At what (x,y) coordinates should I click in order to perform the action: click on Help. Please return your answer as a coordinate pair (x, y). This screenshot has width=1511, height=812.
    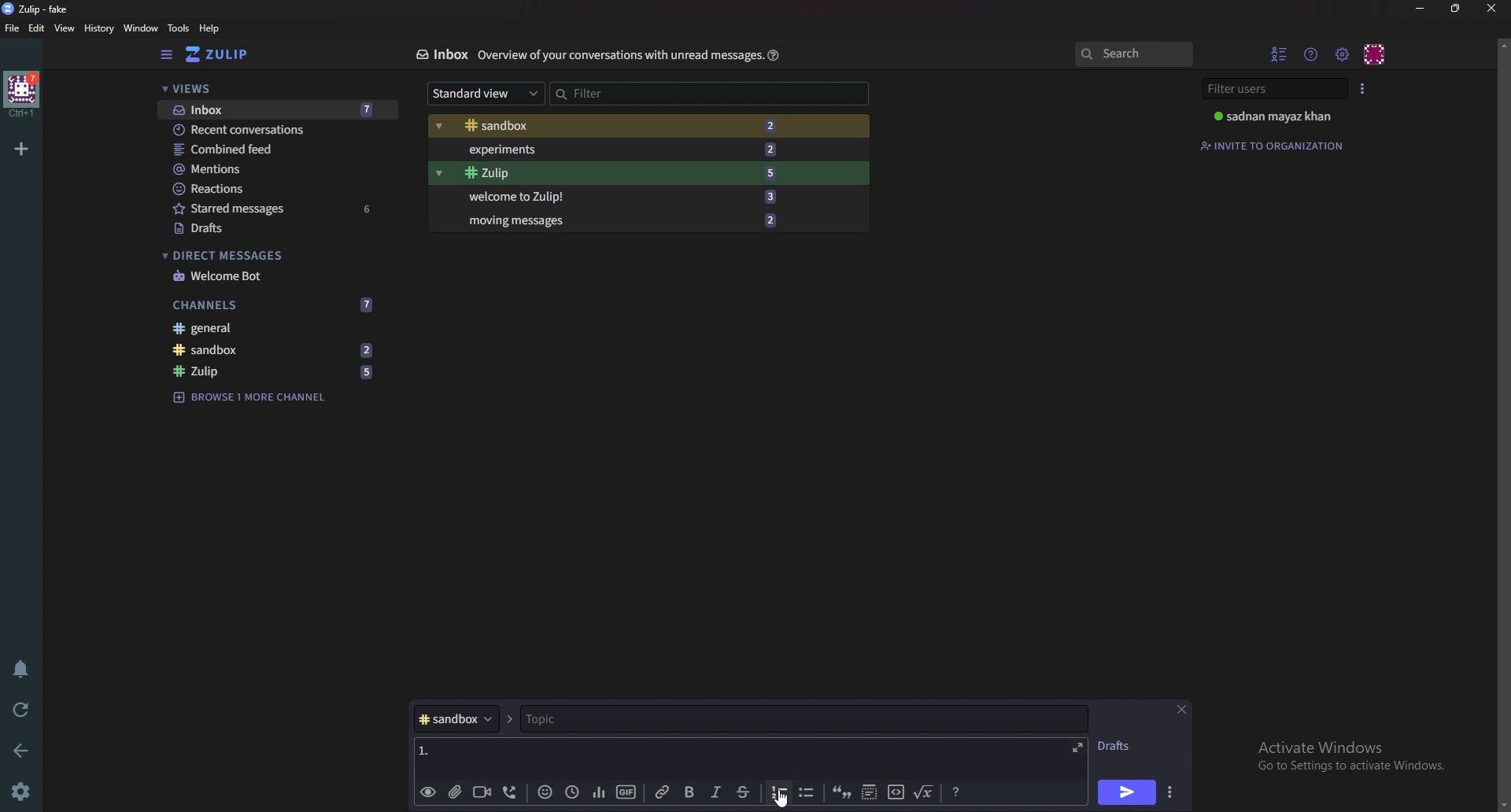
    Looking at the image, I should click on (771, 55).